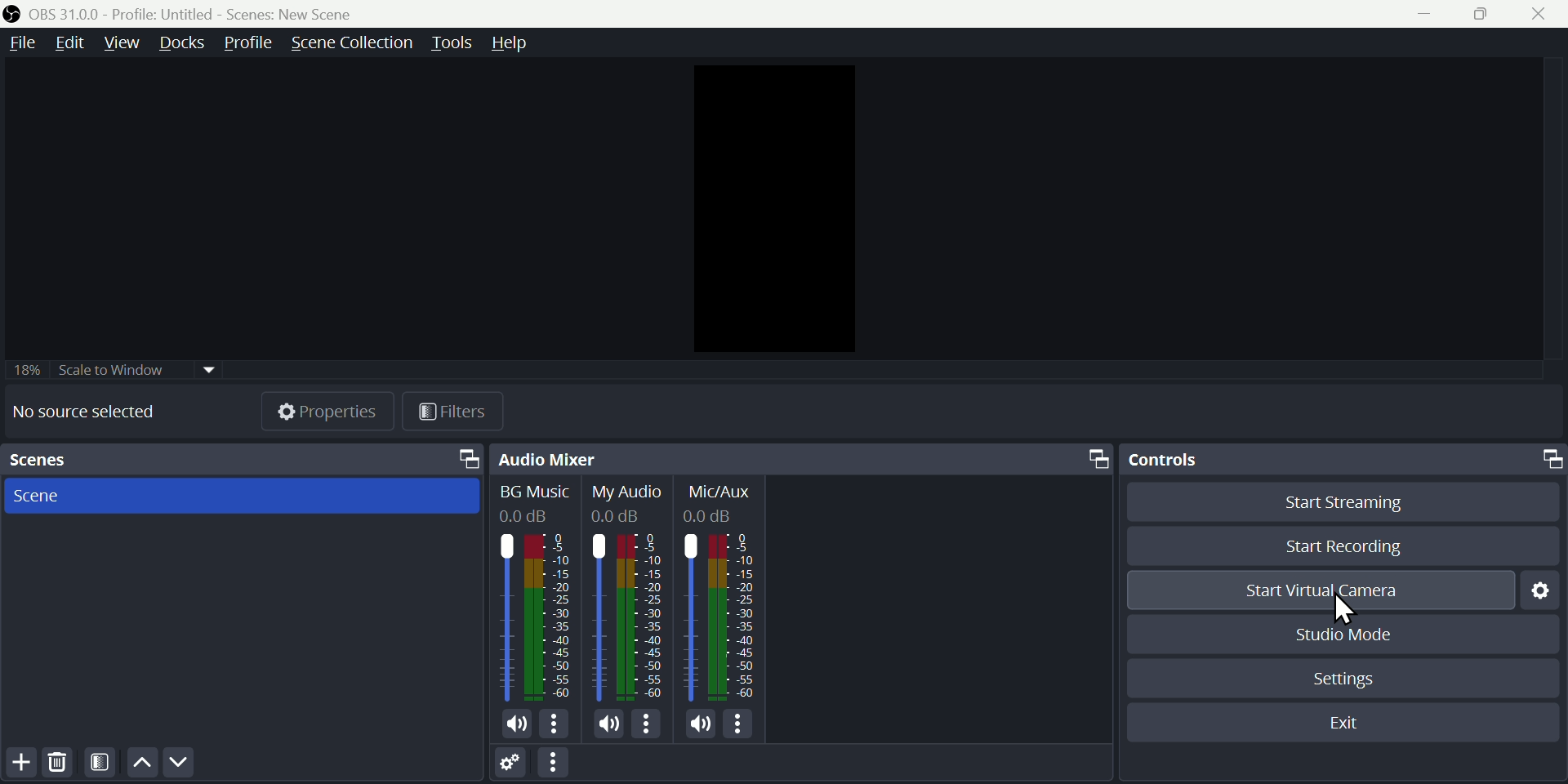  I want to click on View, so click(121, 42).